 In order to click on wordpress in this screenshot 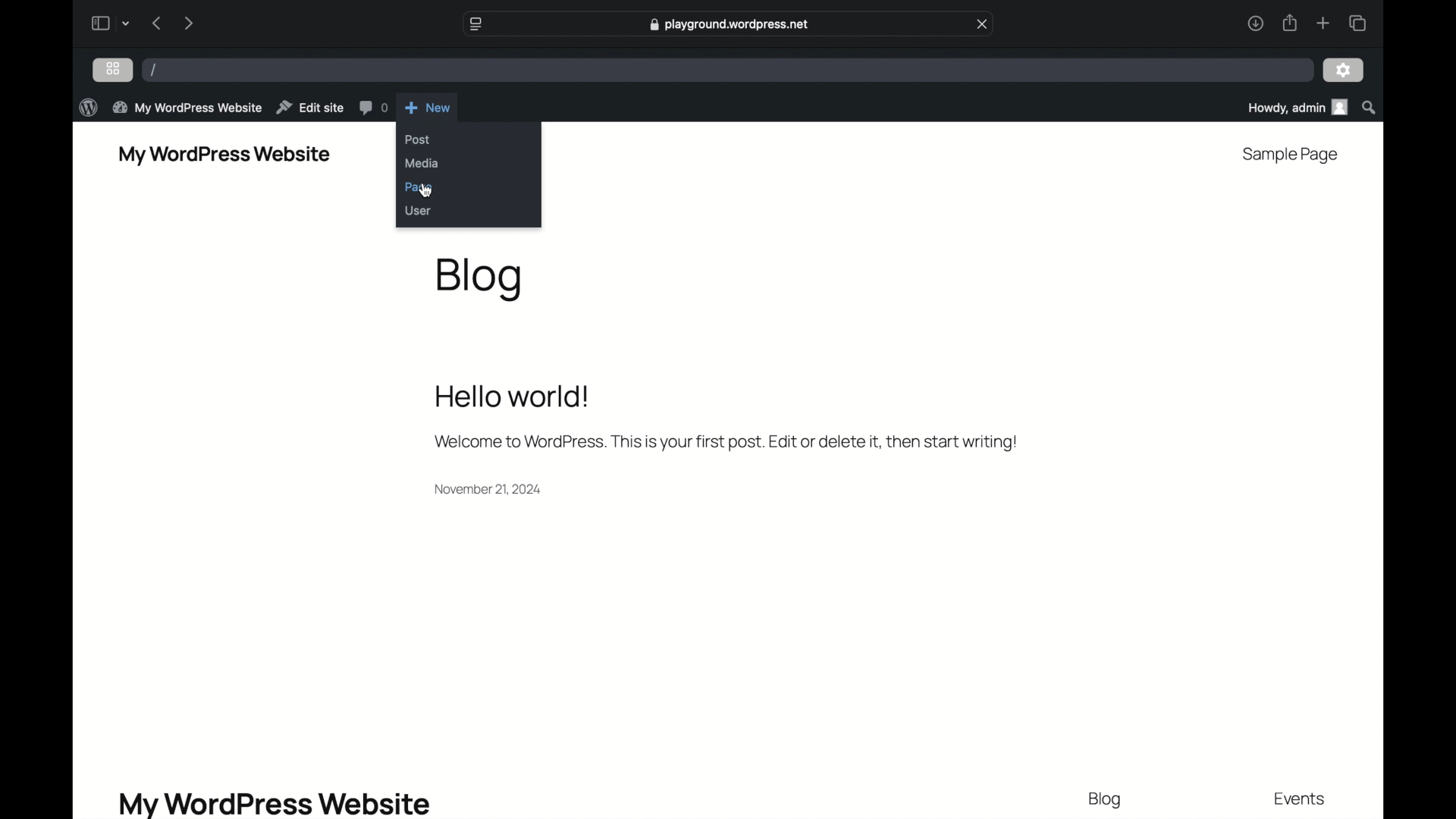, I will do `click(88, 108)`.